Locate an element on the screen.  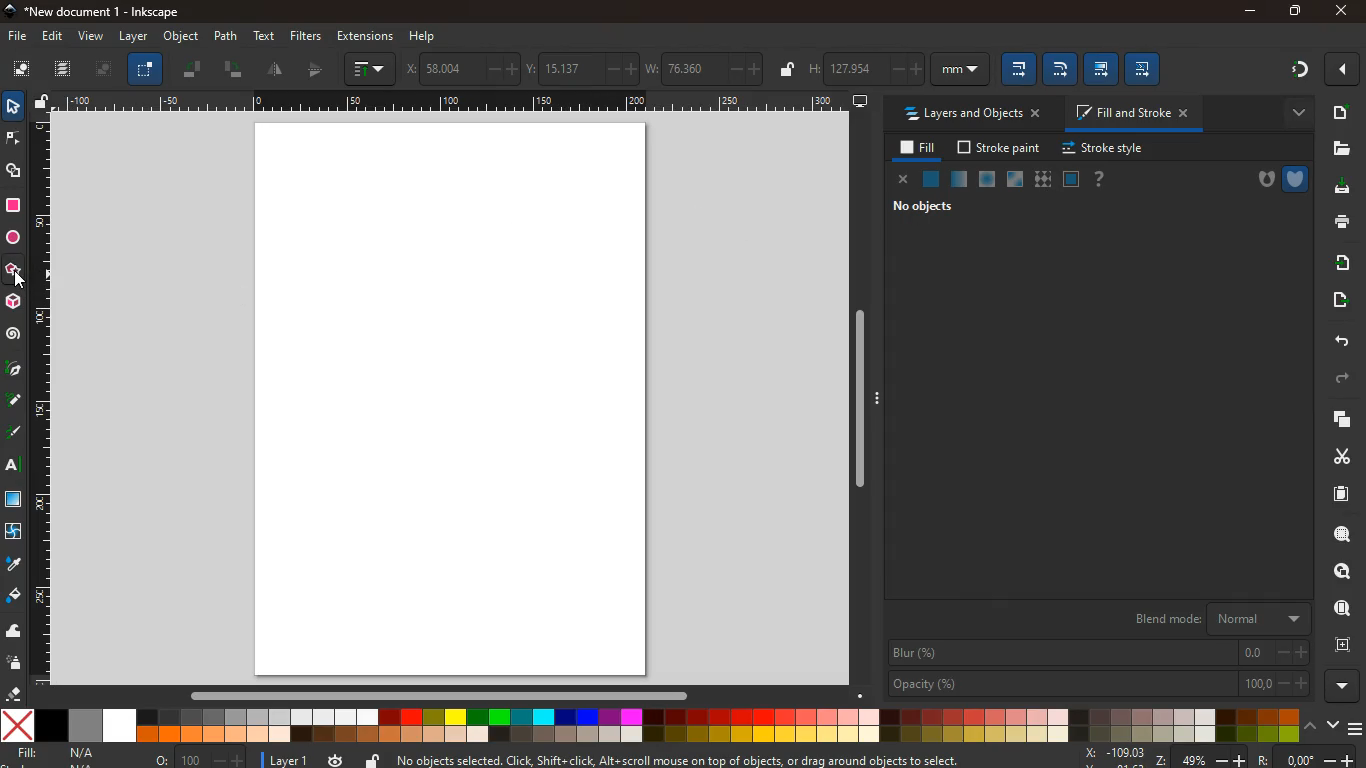
up is located at coordinates (1310, 725).